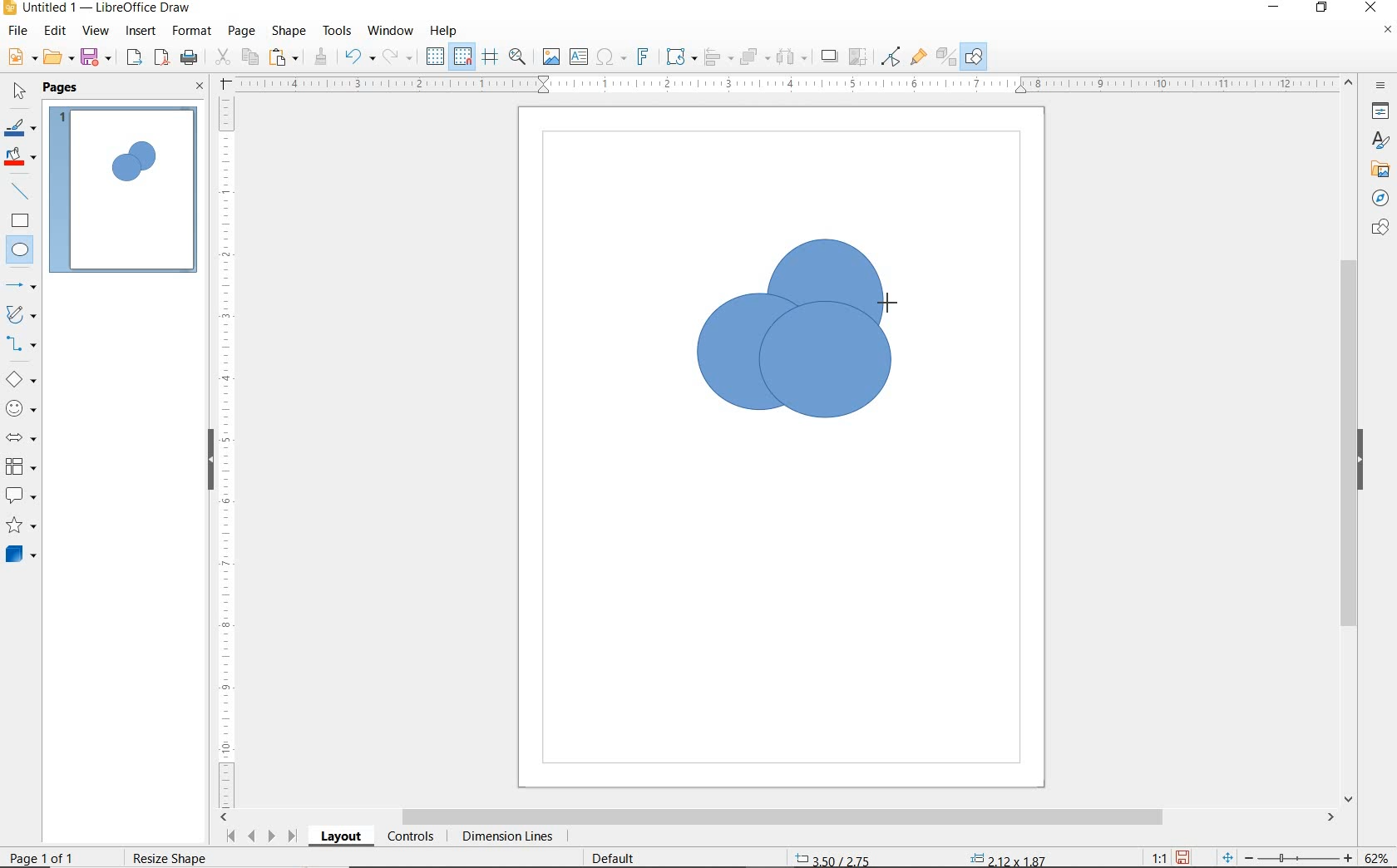  I want to click on RESTORE DOWN, so click(1322, 8).